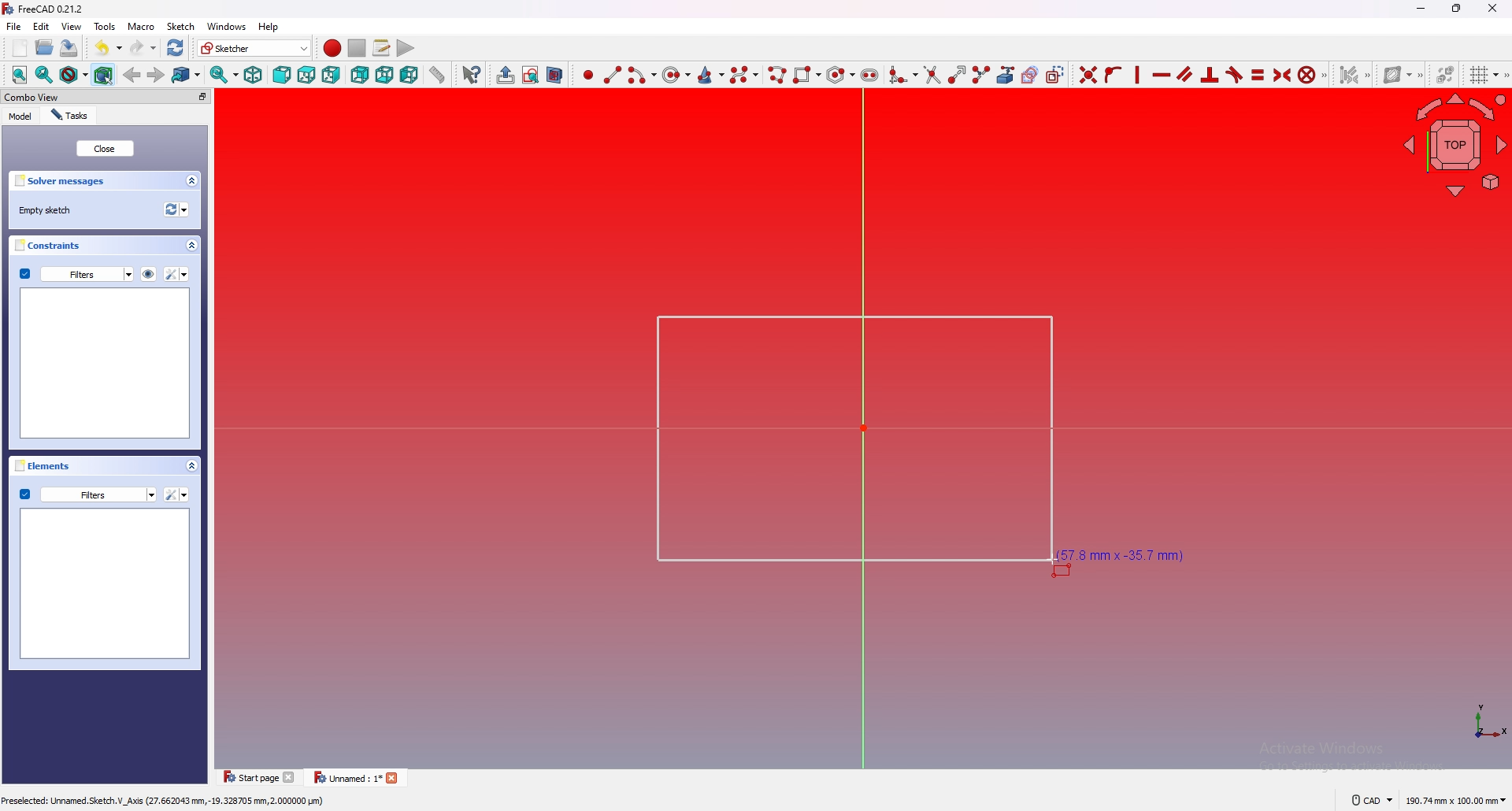  I want to click on toggle construction geometry, so click(1055, 74).